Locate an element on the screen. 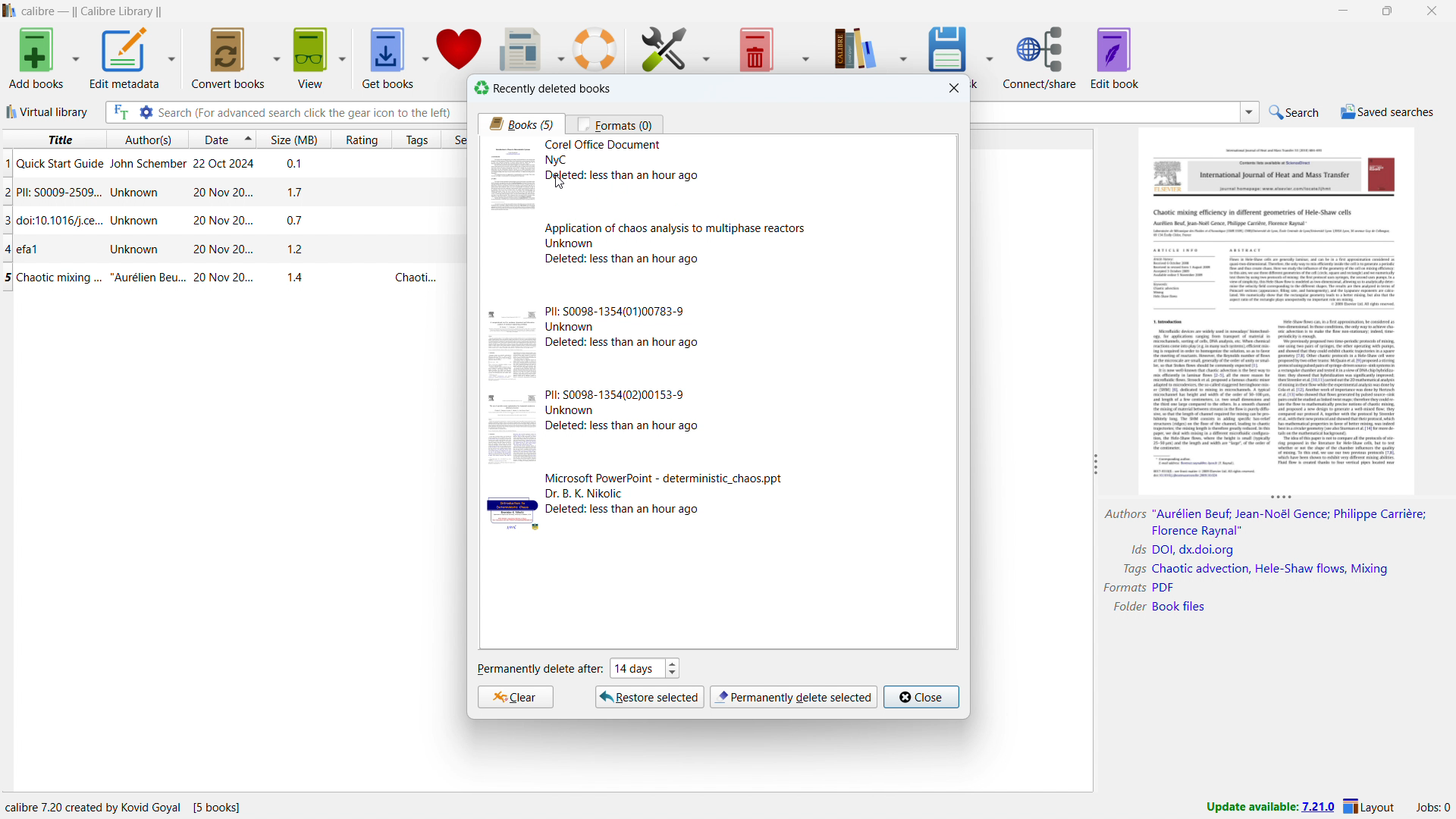 Image resolution: width=1456 pixels, height=819 pixels. maximize  is located at coordinates (1387, 11).